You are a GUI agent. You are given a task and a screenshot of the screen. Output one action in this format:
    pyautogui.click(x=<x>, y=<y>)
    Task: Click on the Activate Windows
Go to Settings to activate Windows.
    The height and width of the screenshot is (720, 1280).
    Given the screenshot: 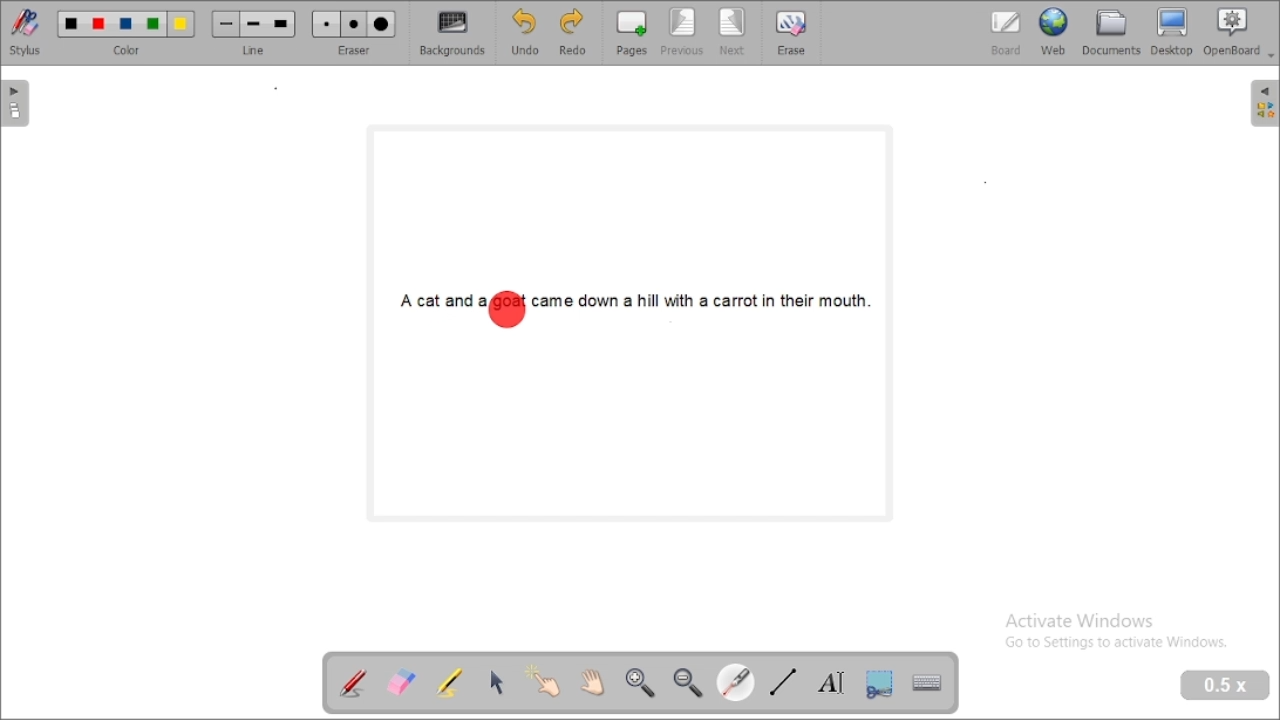 What is the action you would take?
    pyautogui.click(x=1118, y=633)
    